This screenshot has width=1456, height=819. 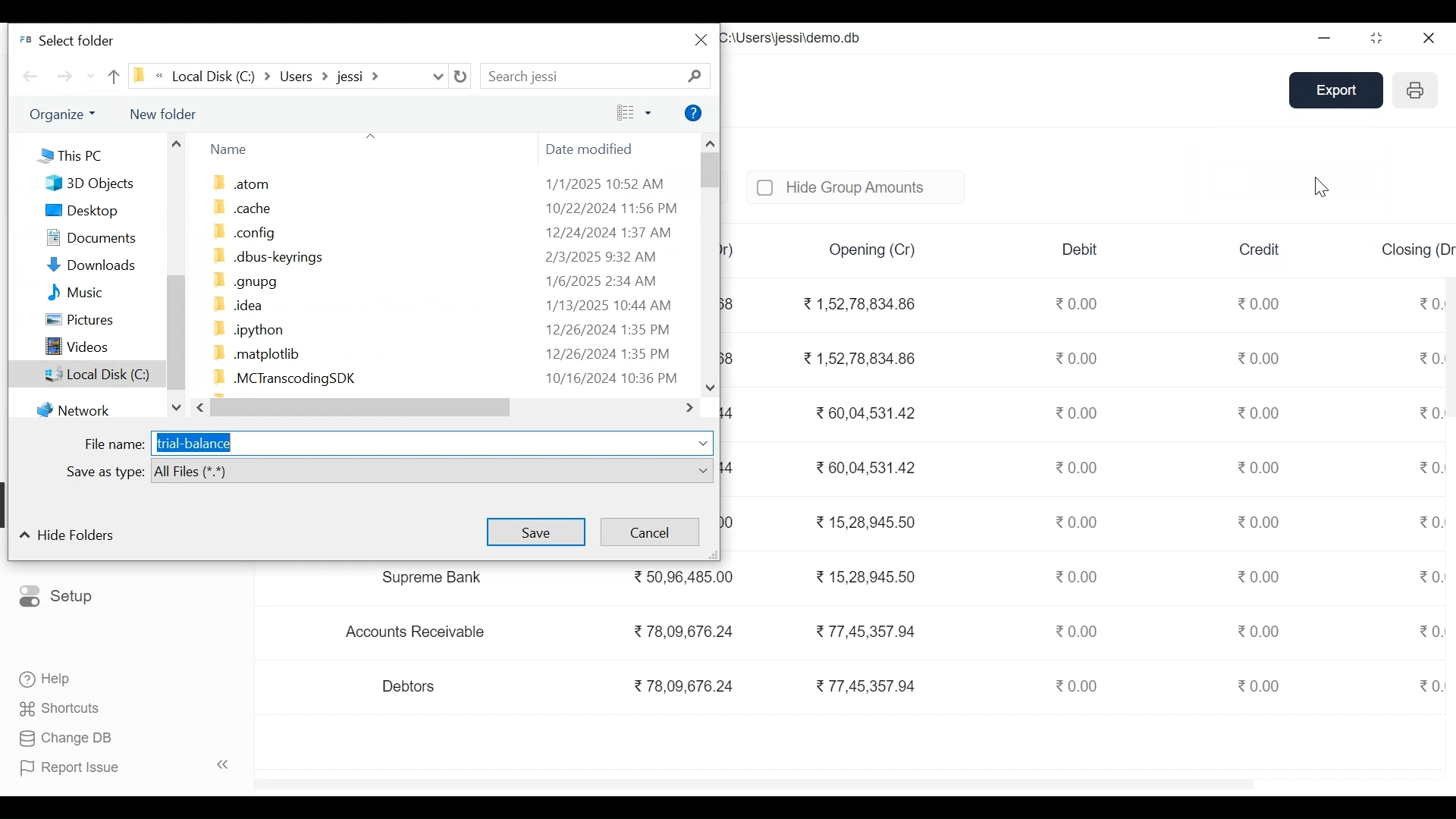 What do you see at coordinates (70, 154) in the screenshot?
I see `This PC` at bounding box center [70, 154].